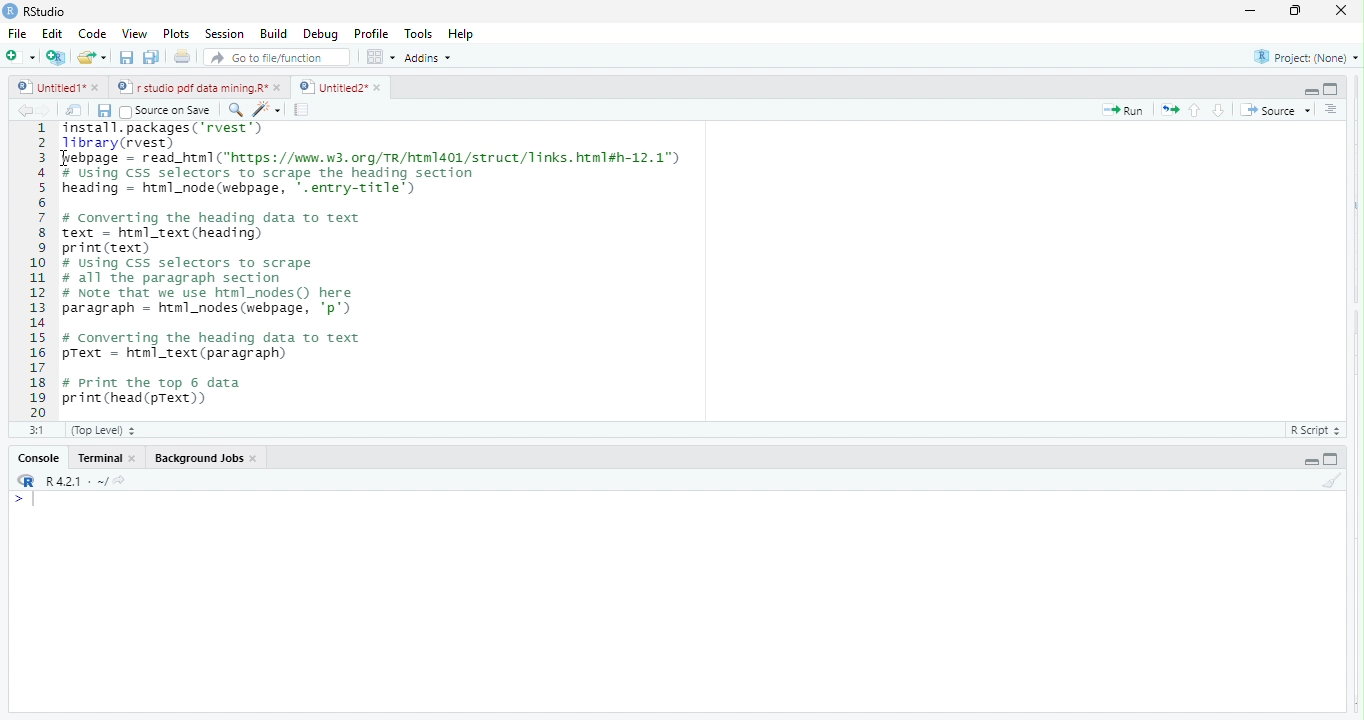  I want to click on hide r script, so click(1309, 89).